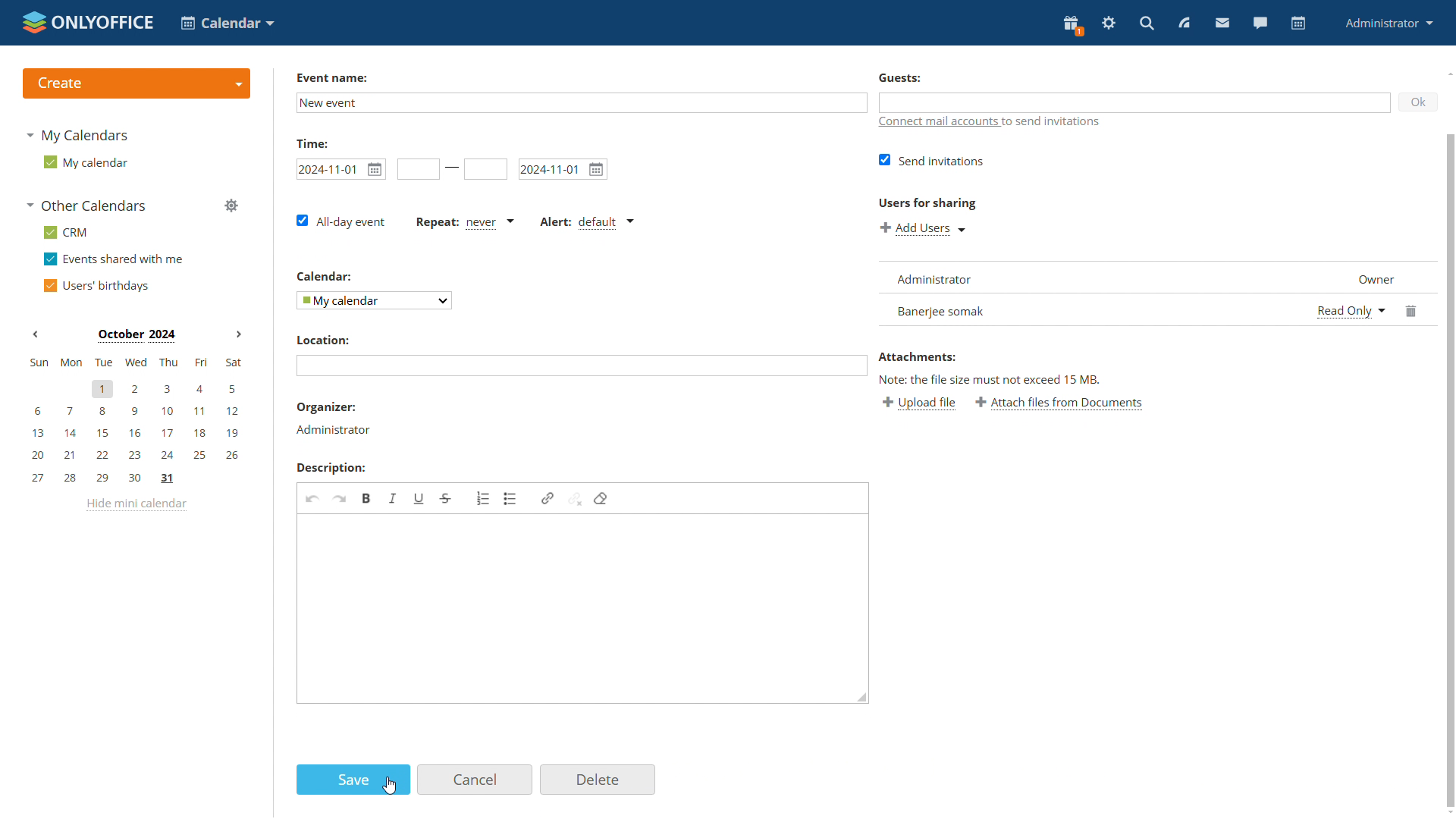  I want to click on save, so click(353, 780).